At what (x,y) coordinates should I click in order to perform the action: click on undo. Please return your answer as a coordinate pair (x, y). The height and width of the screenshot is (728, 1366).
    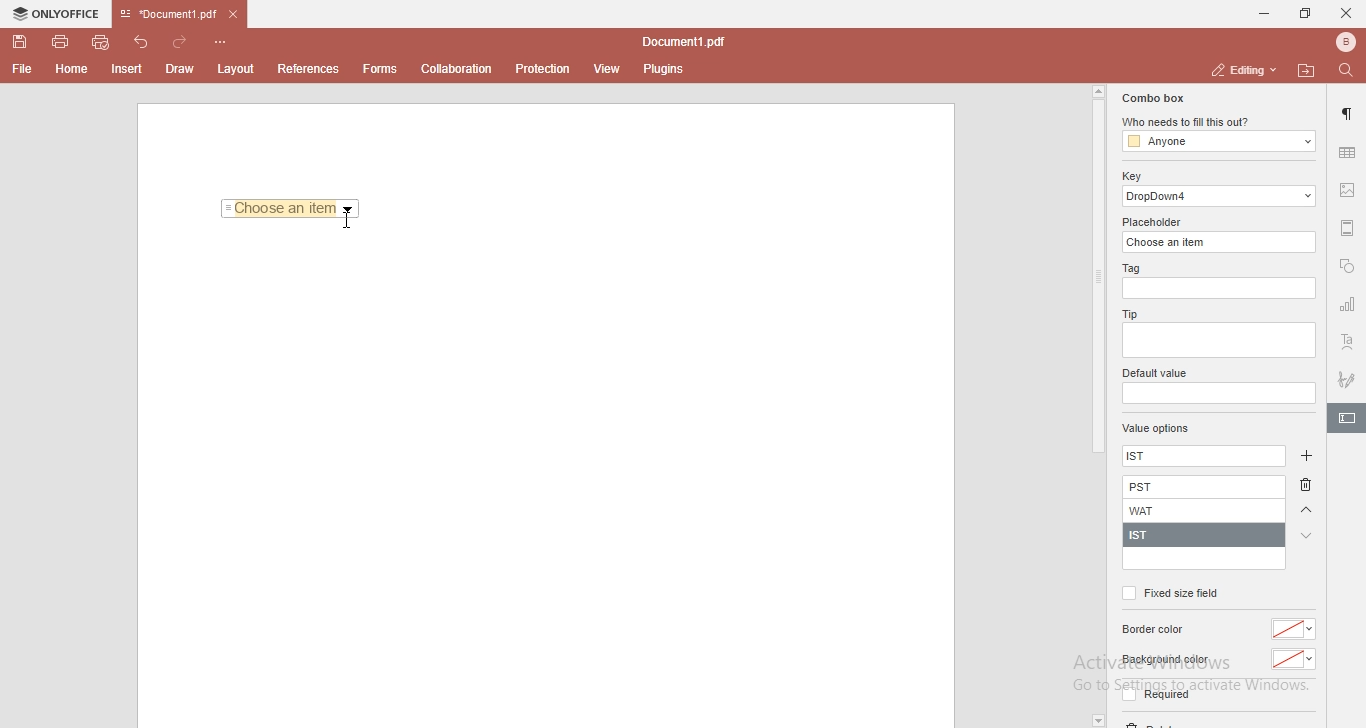
    Looking at the image, I should click on (144, 40).